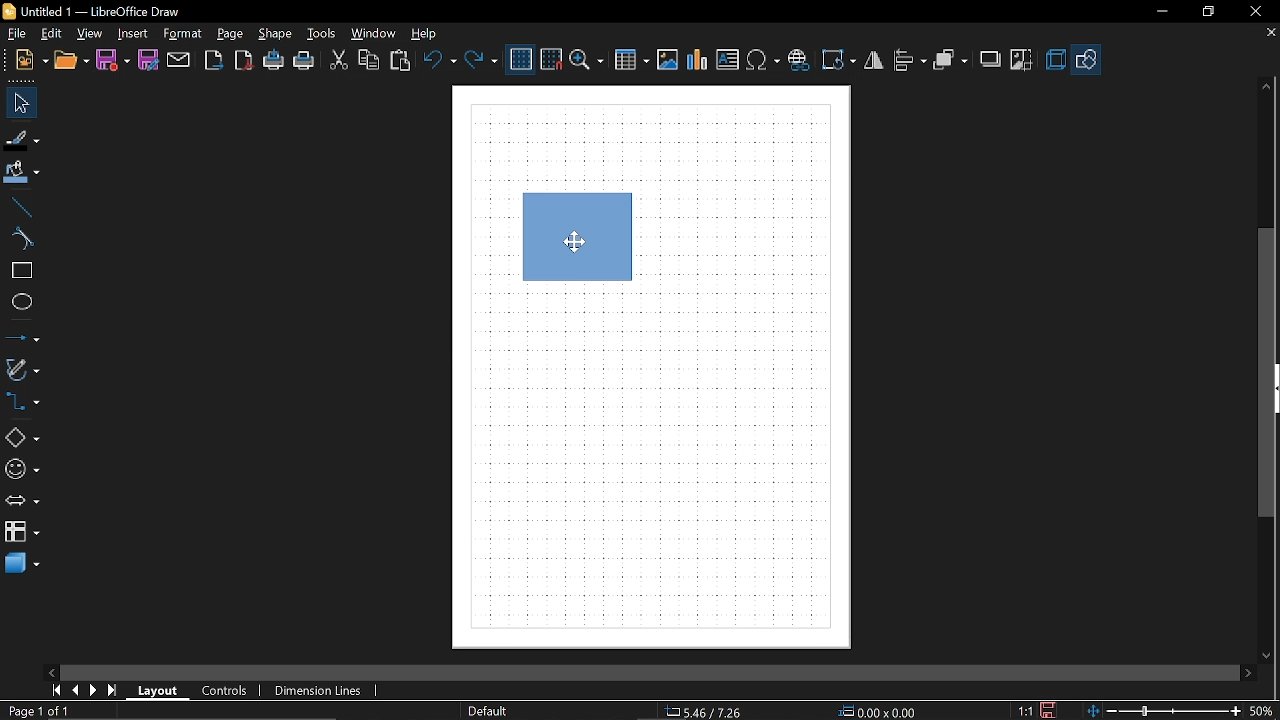 The image size is (1280, 720). What do you see at coordinates (50, 33) in the screenshot?
I see `Edit` at bounding box center [50, 33].